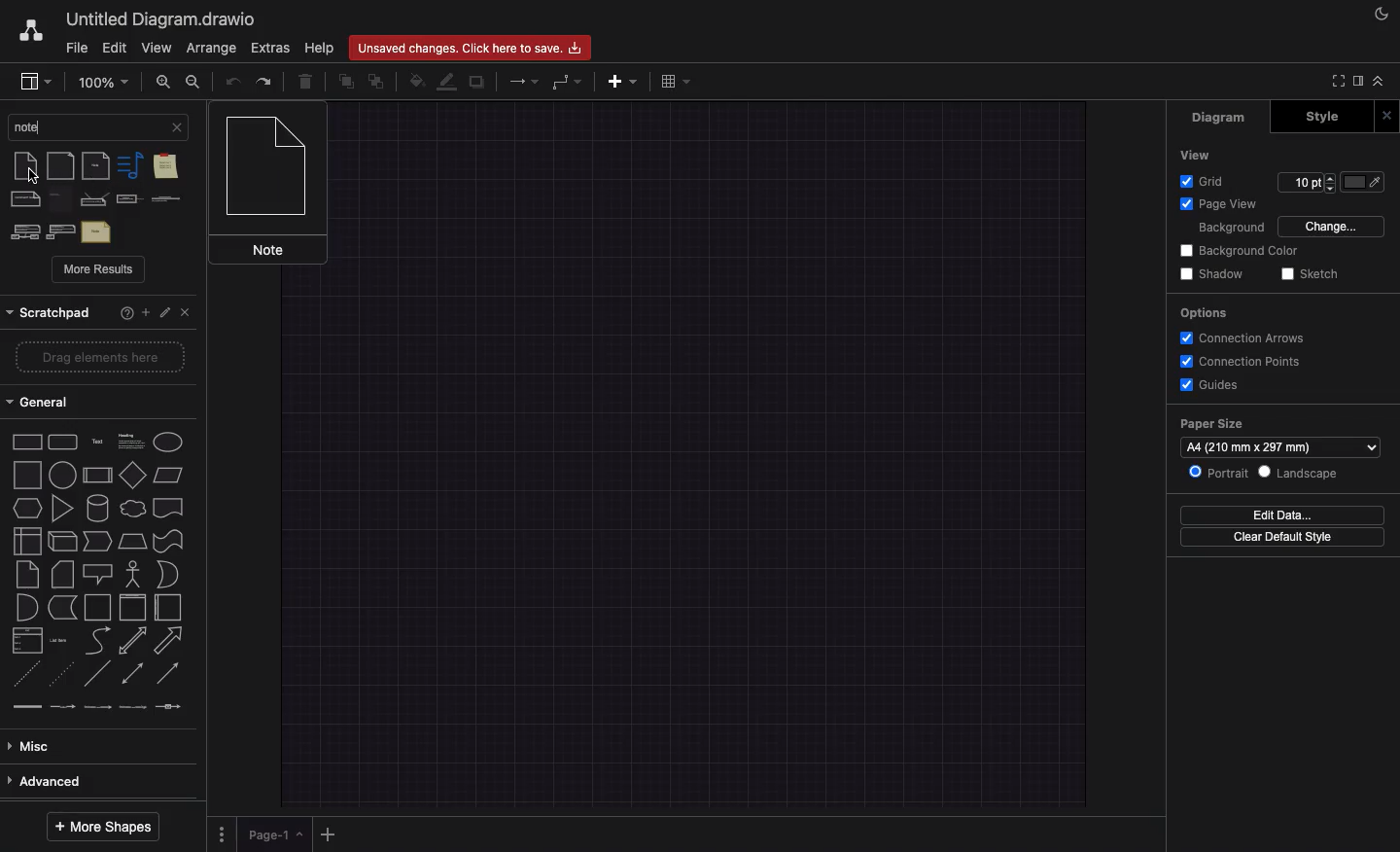 This screenshot has height=852, width=1400. Describe the element at coordinates (62, 199) in the screenshot. I see `note` at that location.